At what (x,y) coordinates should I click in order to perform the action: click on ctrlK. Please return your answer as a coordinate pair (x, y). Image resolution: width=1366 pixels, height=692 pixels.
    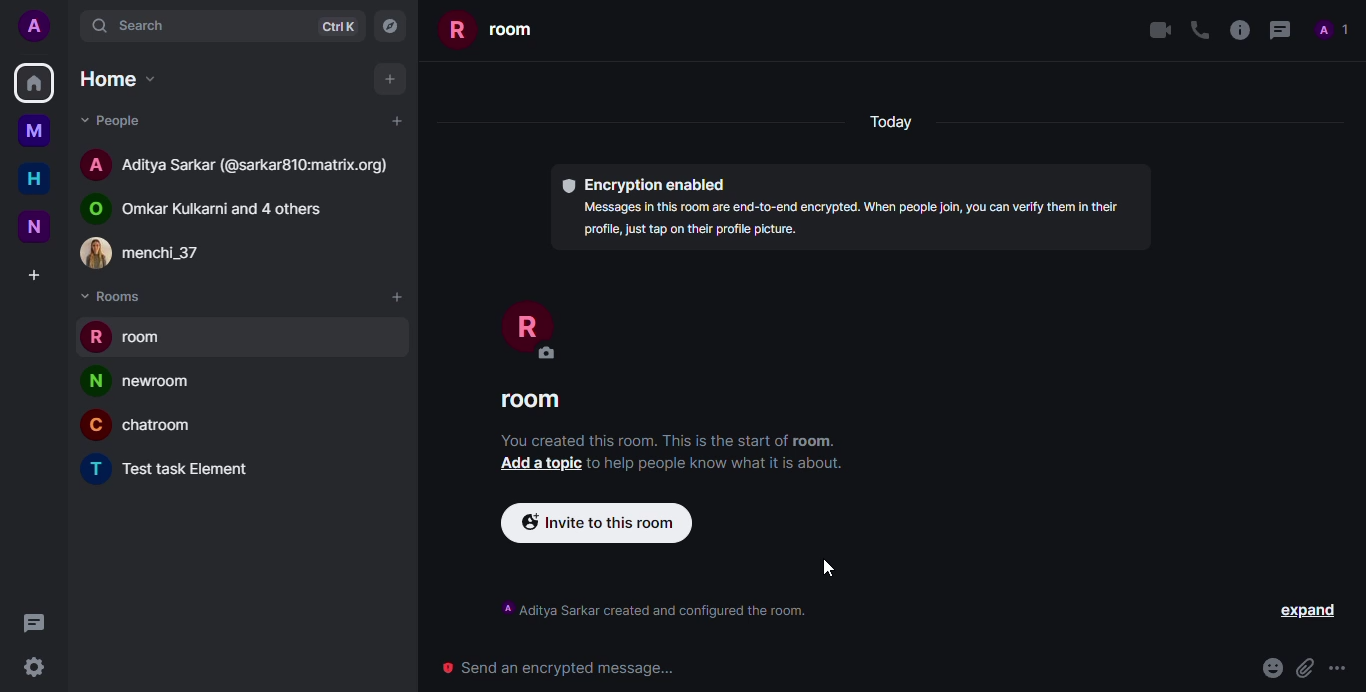
    Looking at the image, I should click on (337, 27).